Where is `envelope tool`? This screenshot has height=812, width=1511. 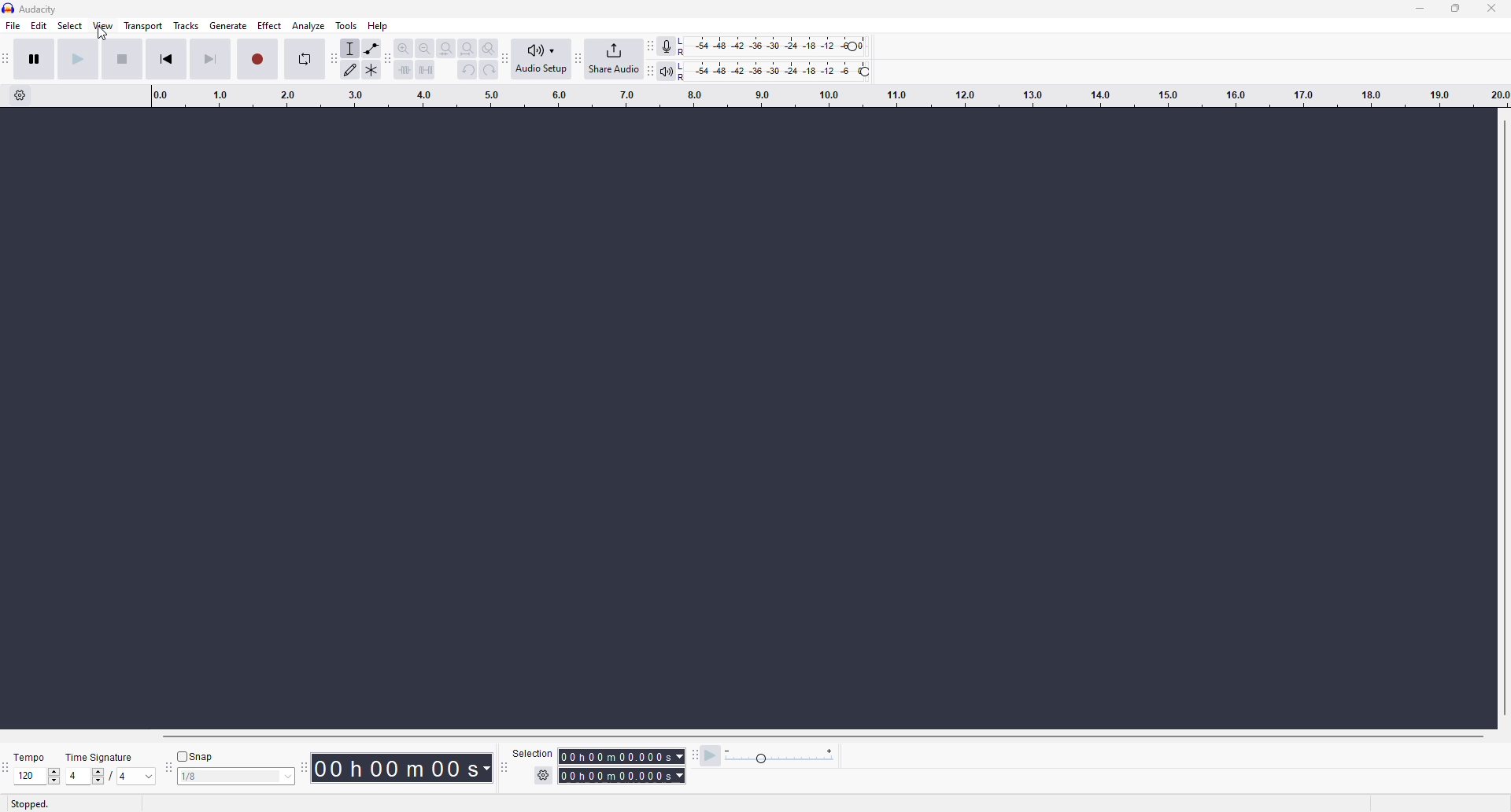
envelope tool is located at coordinates (373, 49).